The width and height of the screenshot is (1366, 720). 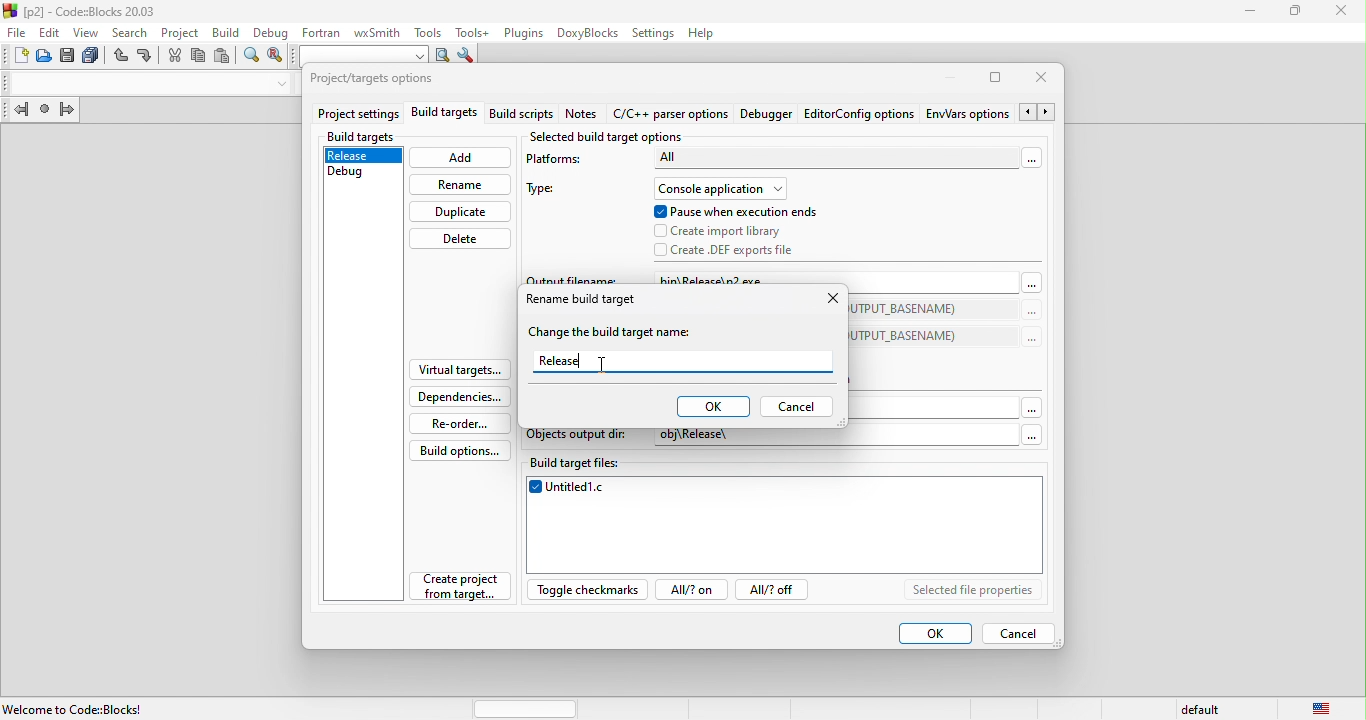 What do you see at coordinates (122, 58) in the screenshot?
I see `undo` at bounding box center [122, 58].